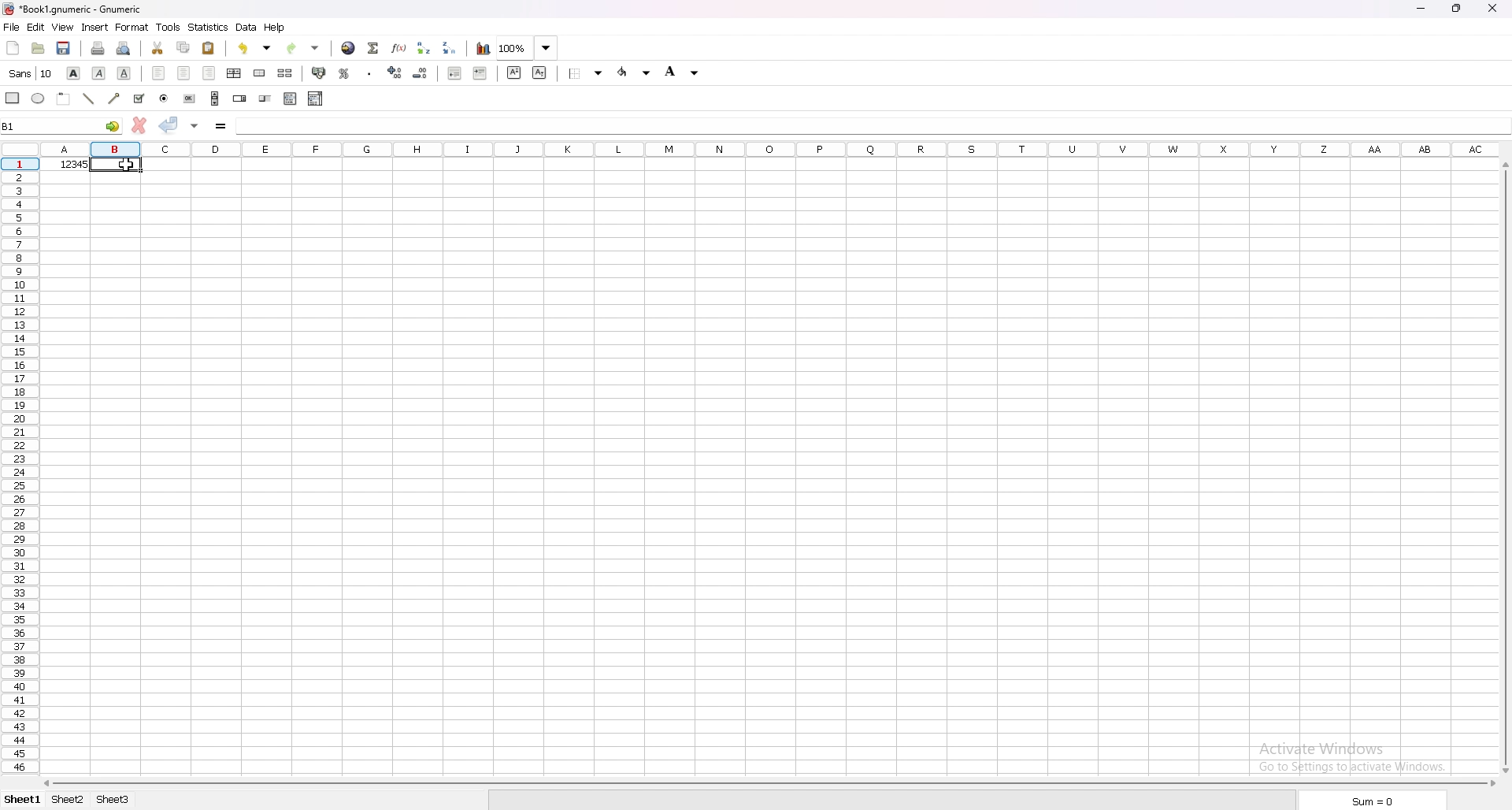 This screenshot has height=810, width=1512. Describe the element at coordinates (869, 124) in the screenshot. I see `cell input` at that location.